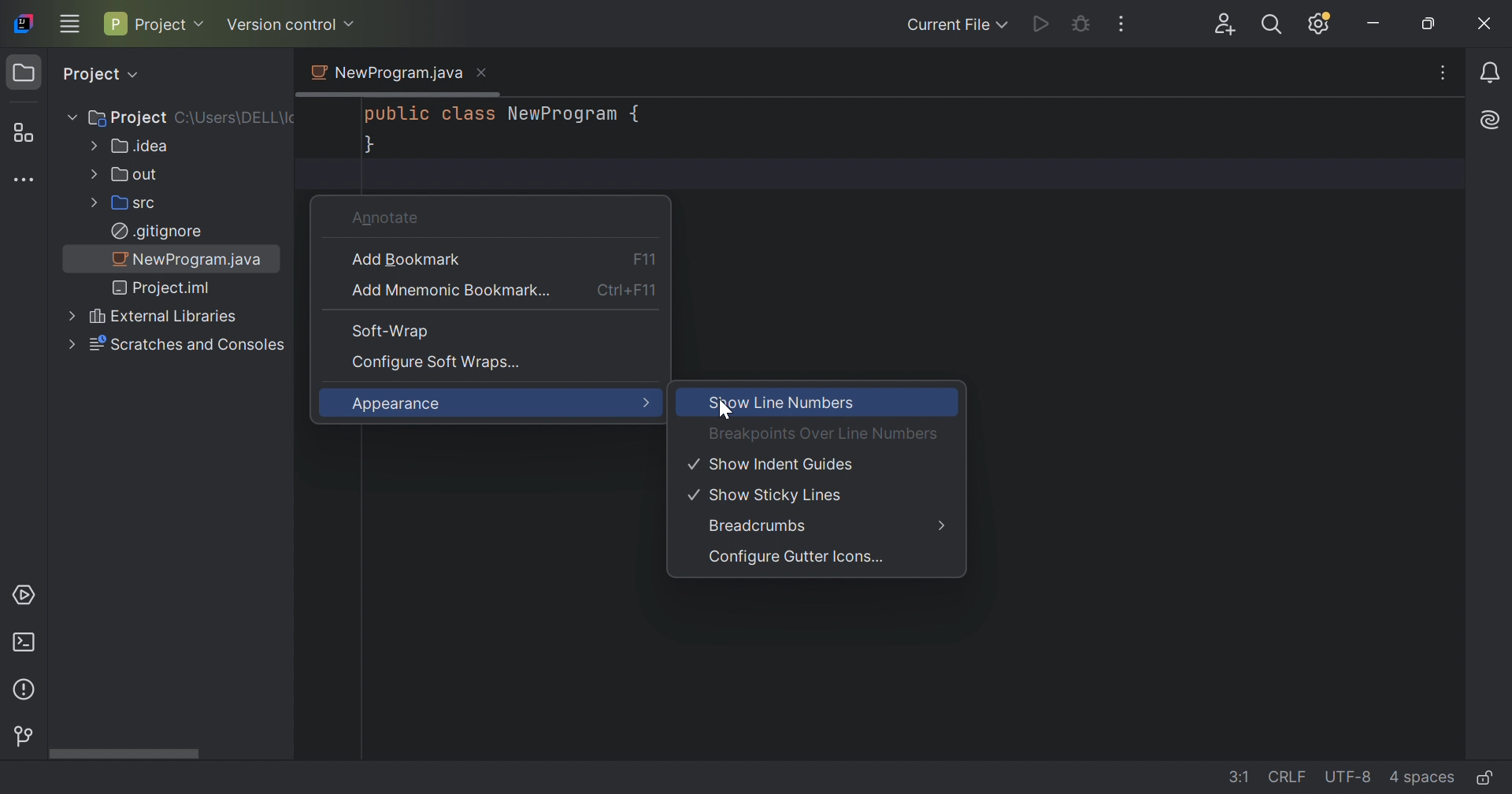 The width and height of the screenshot is (1512, 794). Describe the element at coordinates (1374, 24) in the screenshot. I see `Minimize` at that location.